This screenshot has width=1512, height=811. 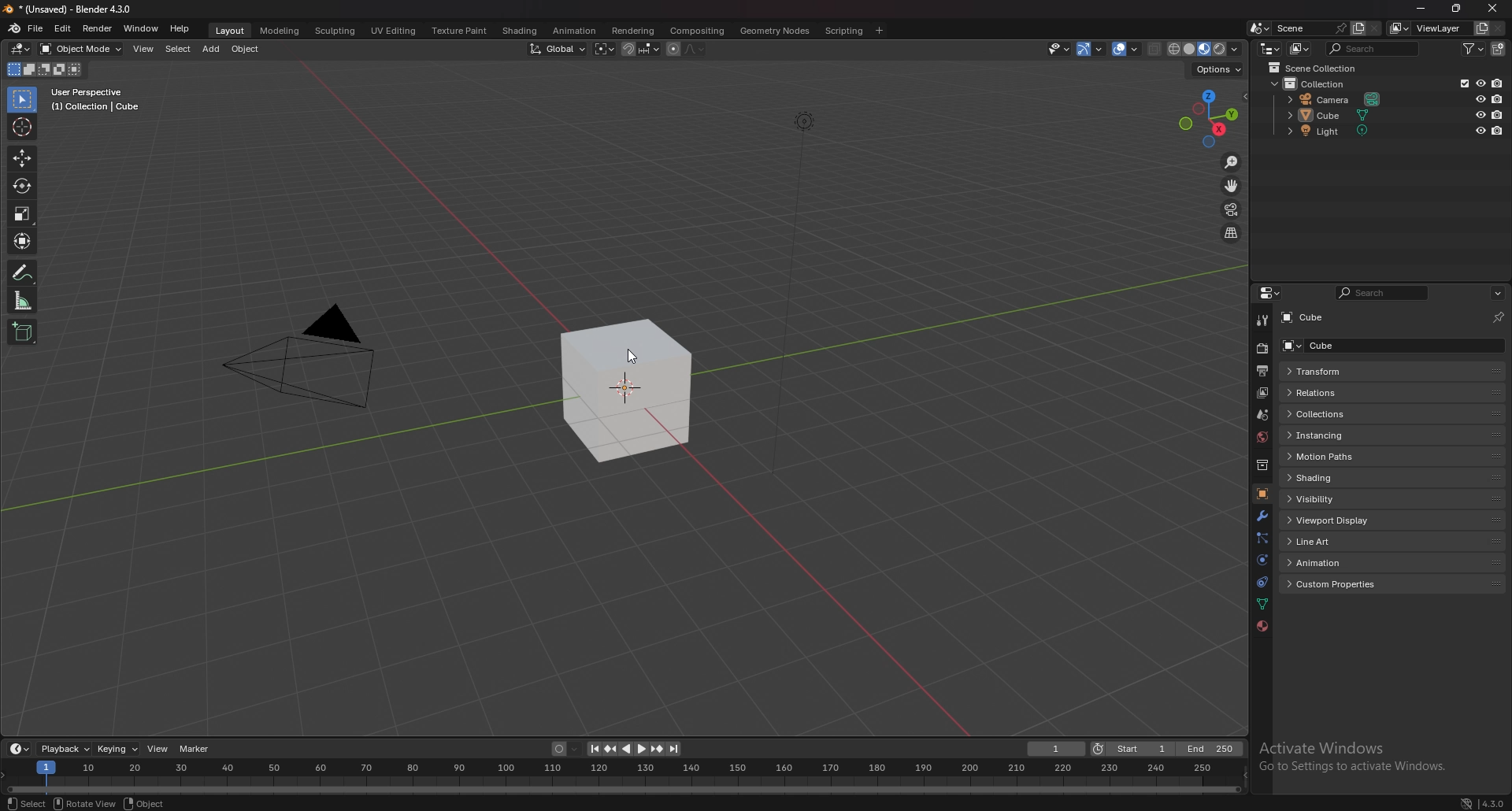 What do you see at coordinates (1499, 28) in the screenshot?
I see `remove view layer` at bounding box center [1499, 28].